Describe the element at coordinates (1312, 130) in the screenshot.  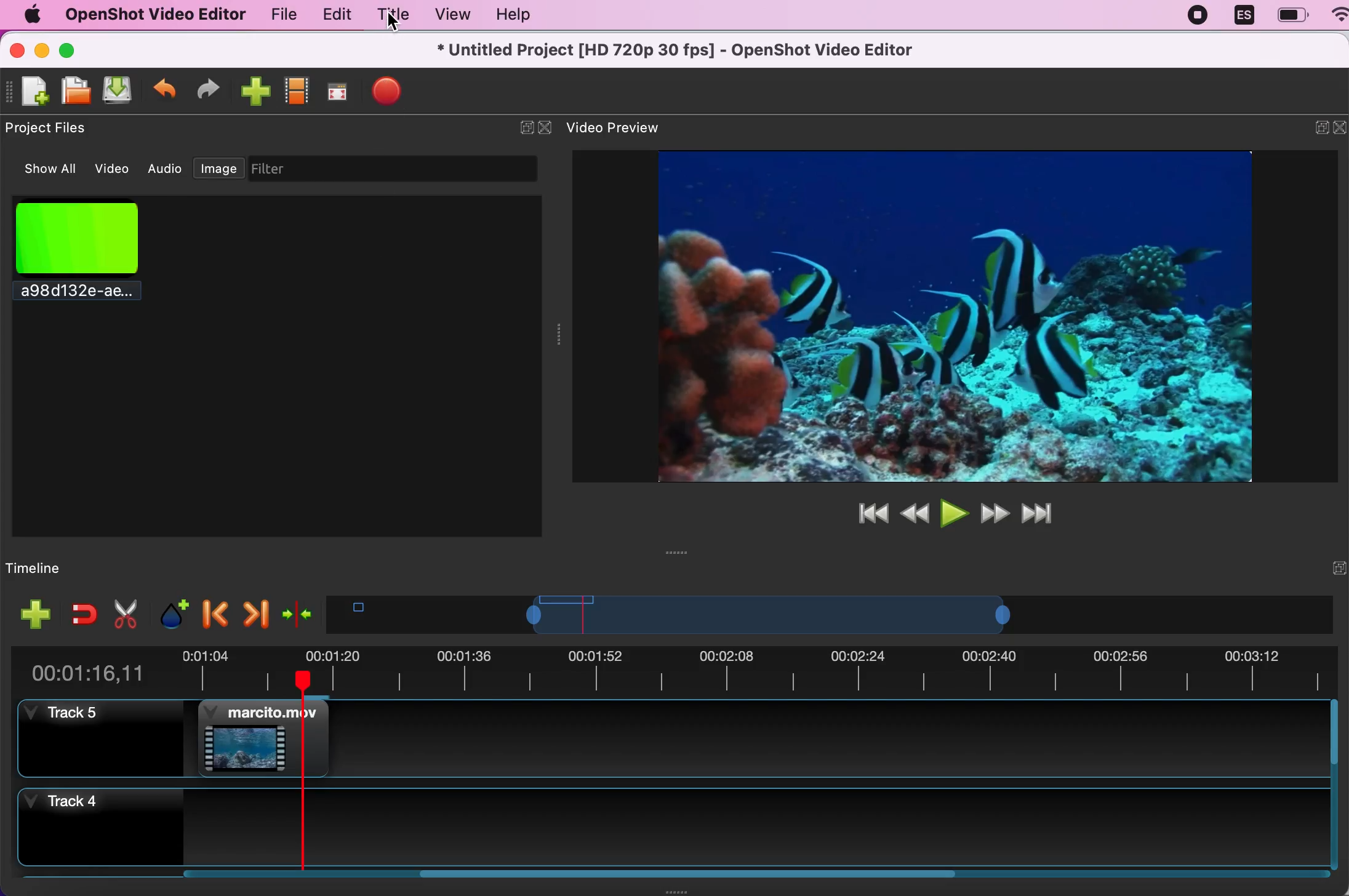
I see `minimize` at that location.